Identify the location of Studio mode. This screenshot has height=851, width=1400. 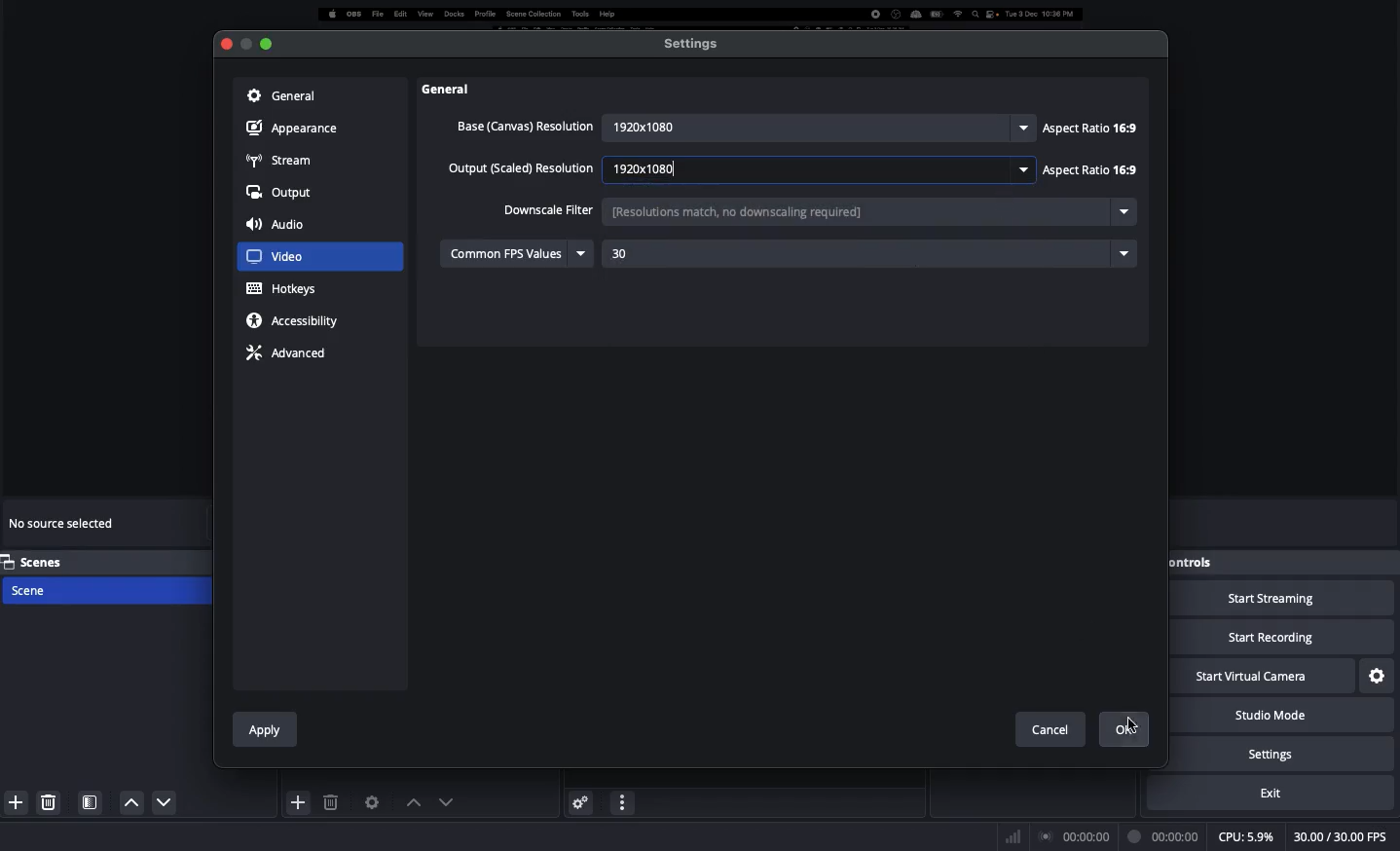
(1291, 716).